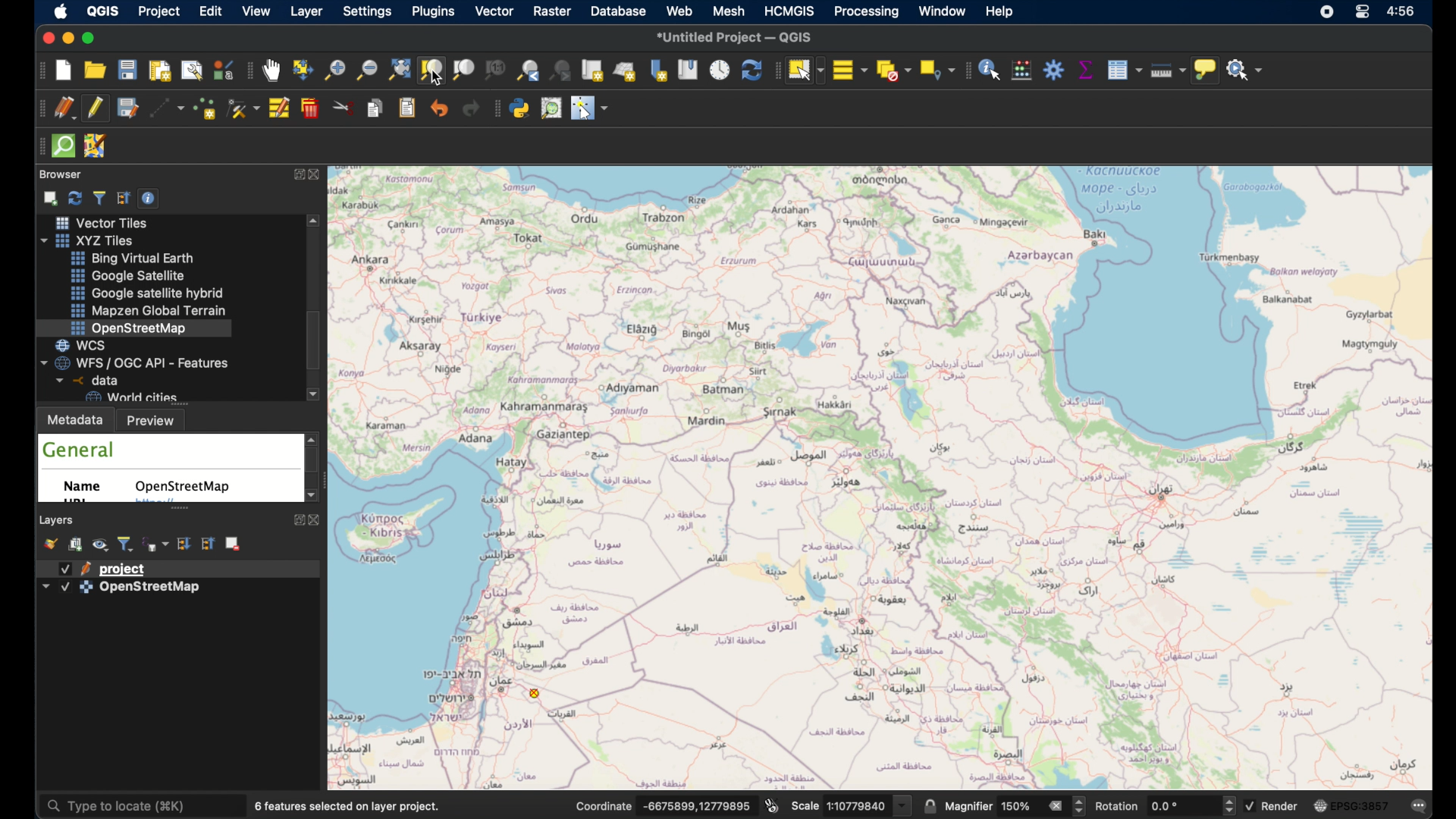 This screenshot has width=1456, height=819. Describe the element at coordinates (590, 108) in the screenshot. I see `switches the mouse cursor to a configurable pointer` at that location.